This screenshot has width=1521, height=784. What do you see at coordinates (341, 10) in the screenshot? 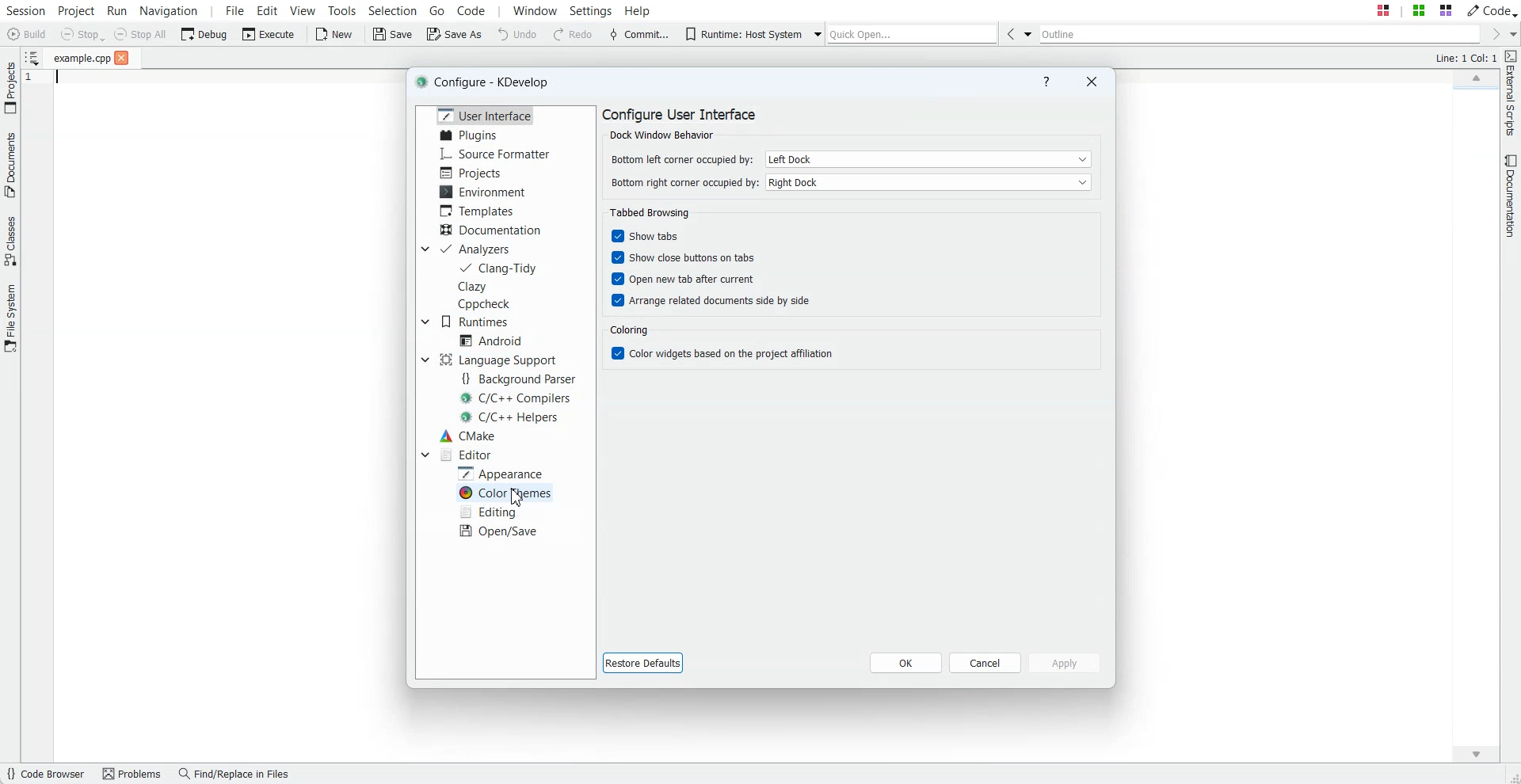
I see `Tools` at bounding box center [341, 10].